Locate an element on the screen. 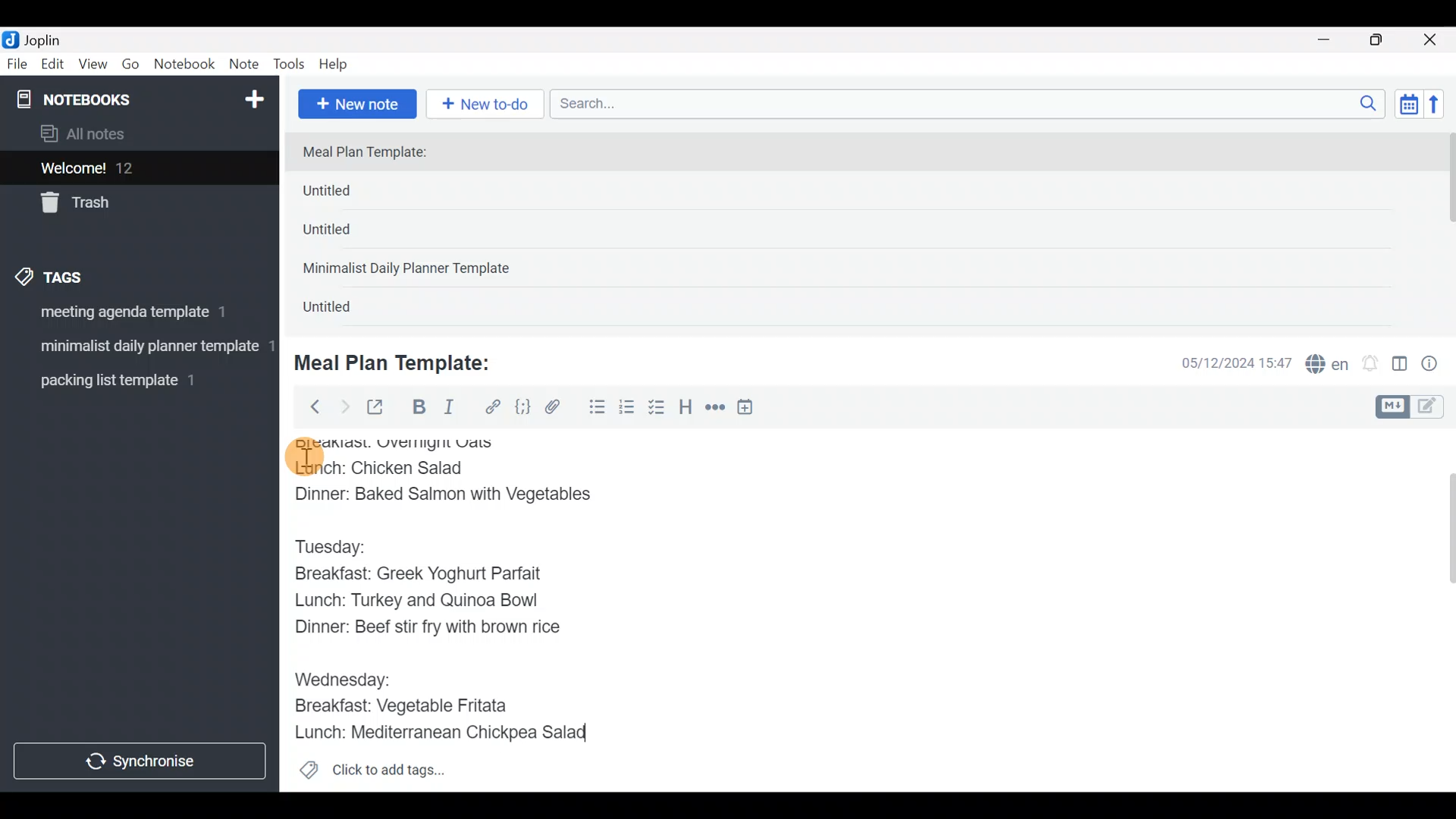  All notes is located at coordinates (136, 135).